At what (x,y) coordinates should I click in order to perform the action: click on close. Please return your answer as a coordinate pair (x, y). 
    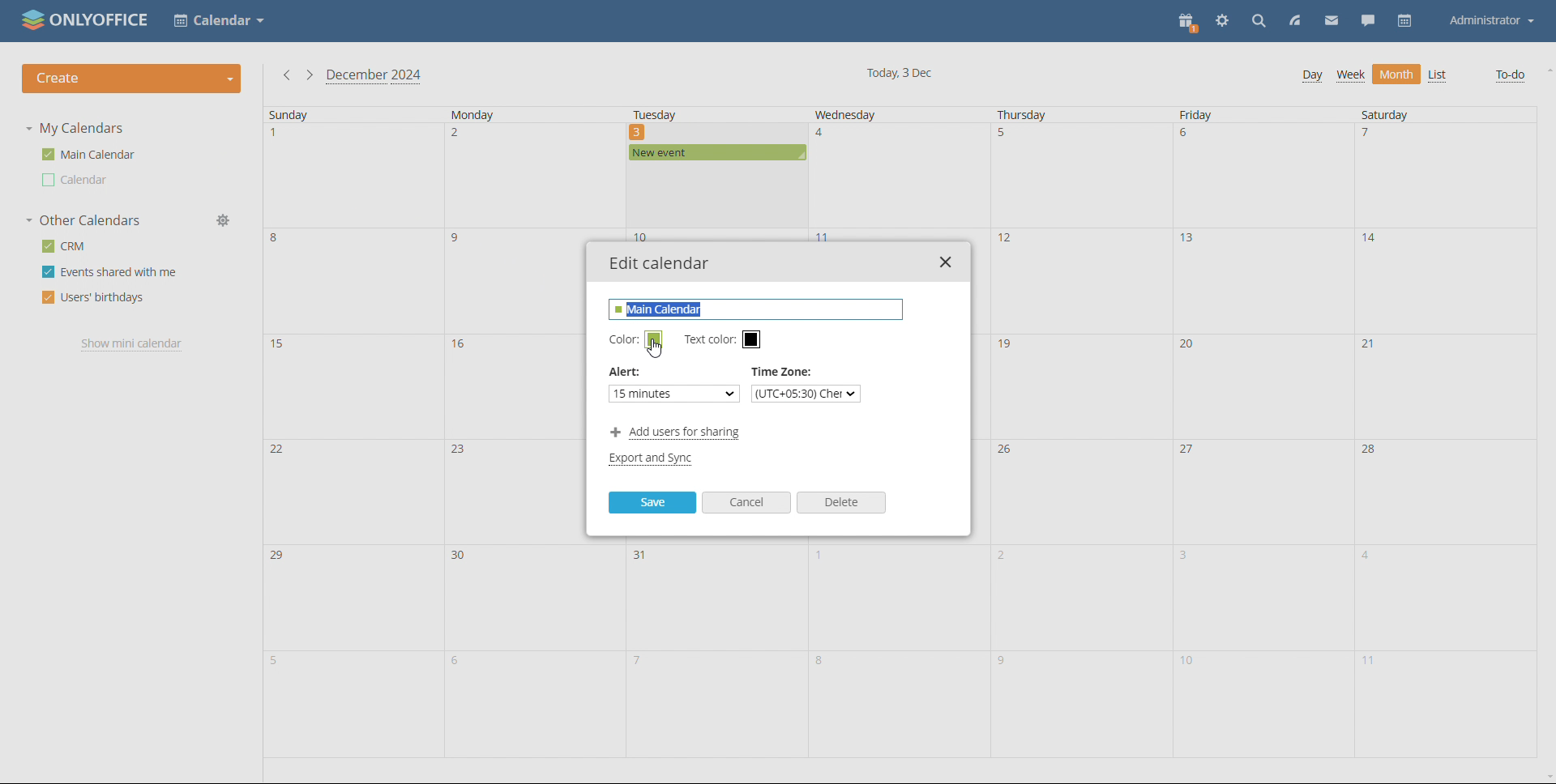
    Looking at the image, I should click on (945, 262).